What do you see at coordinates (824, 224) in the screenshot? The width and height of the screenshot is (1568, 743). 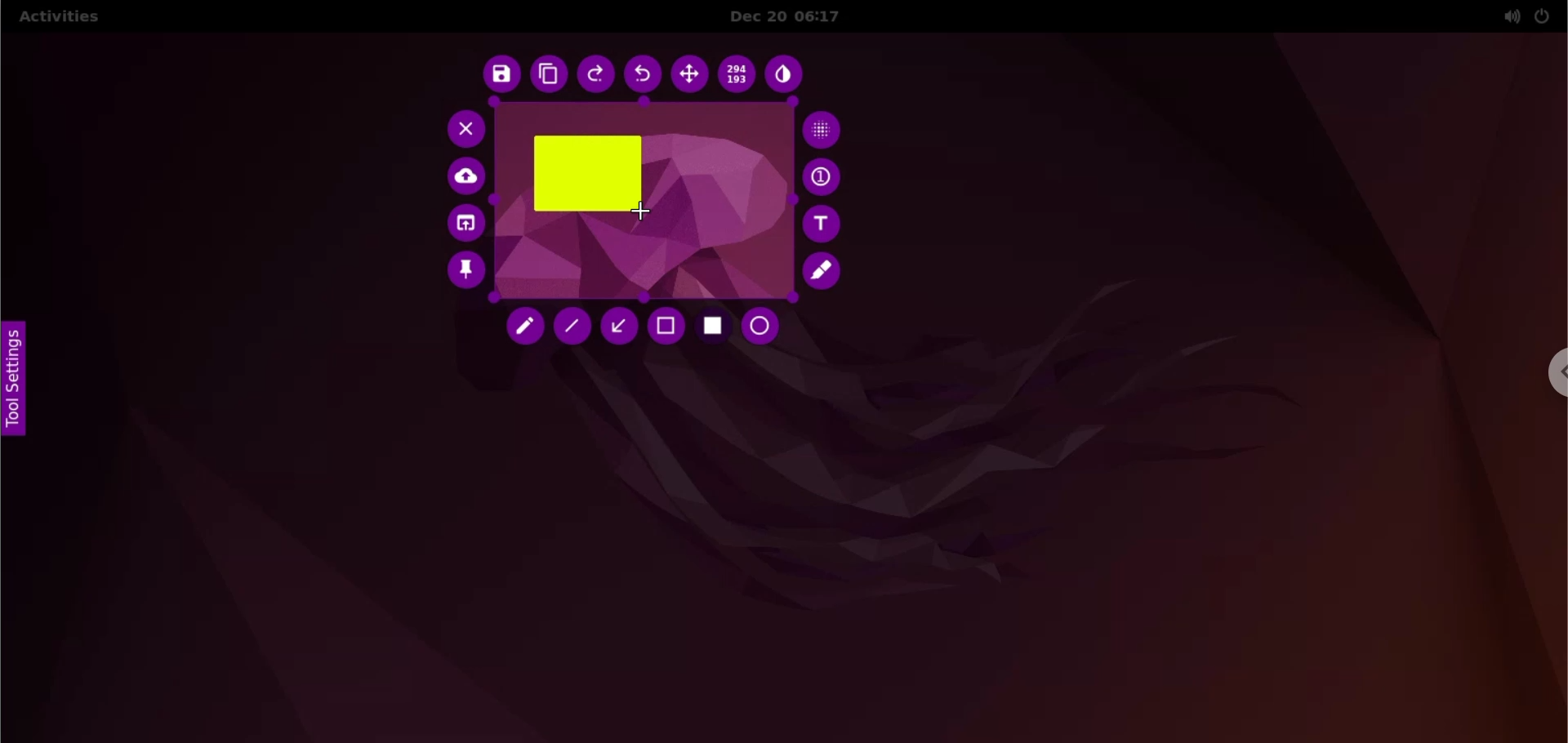 I see `add text` at bounding box center [824, 224].